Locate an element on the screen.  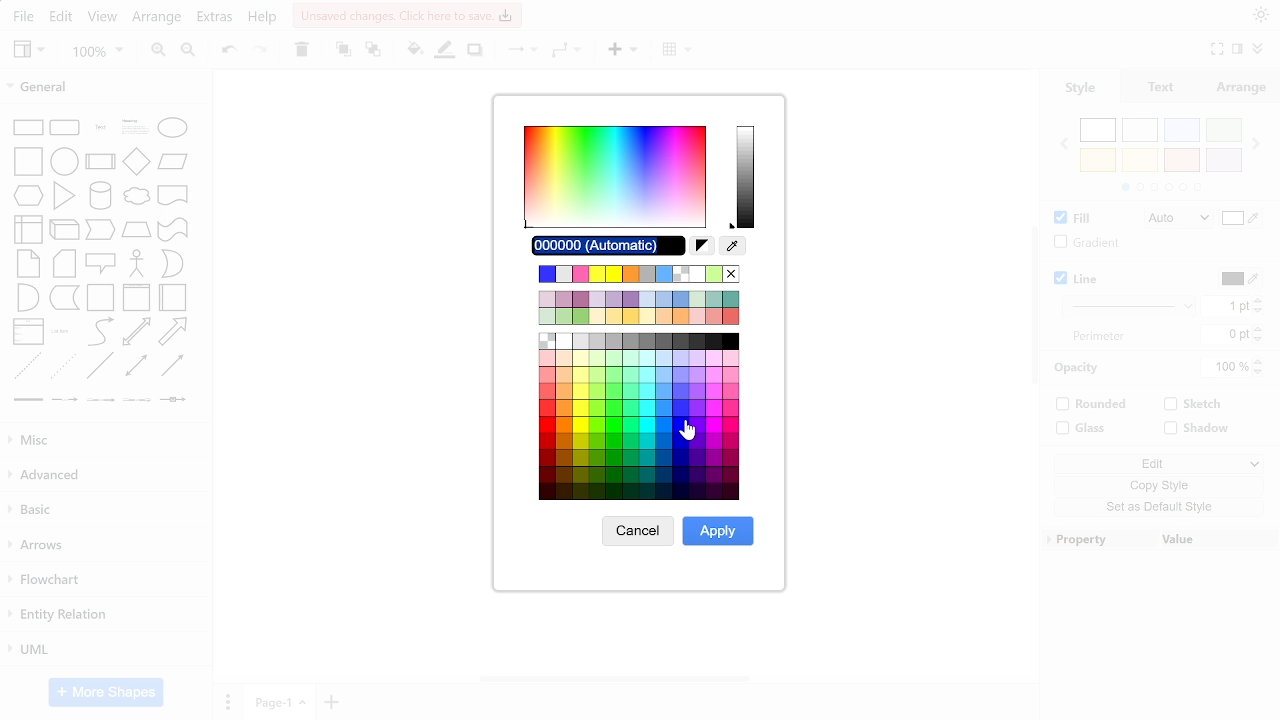
current perimeter is located at coordinates (1225, 335).